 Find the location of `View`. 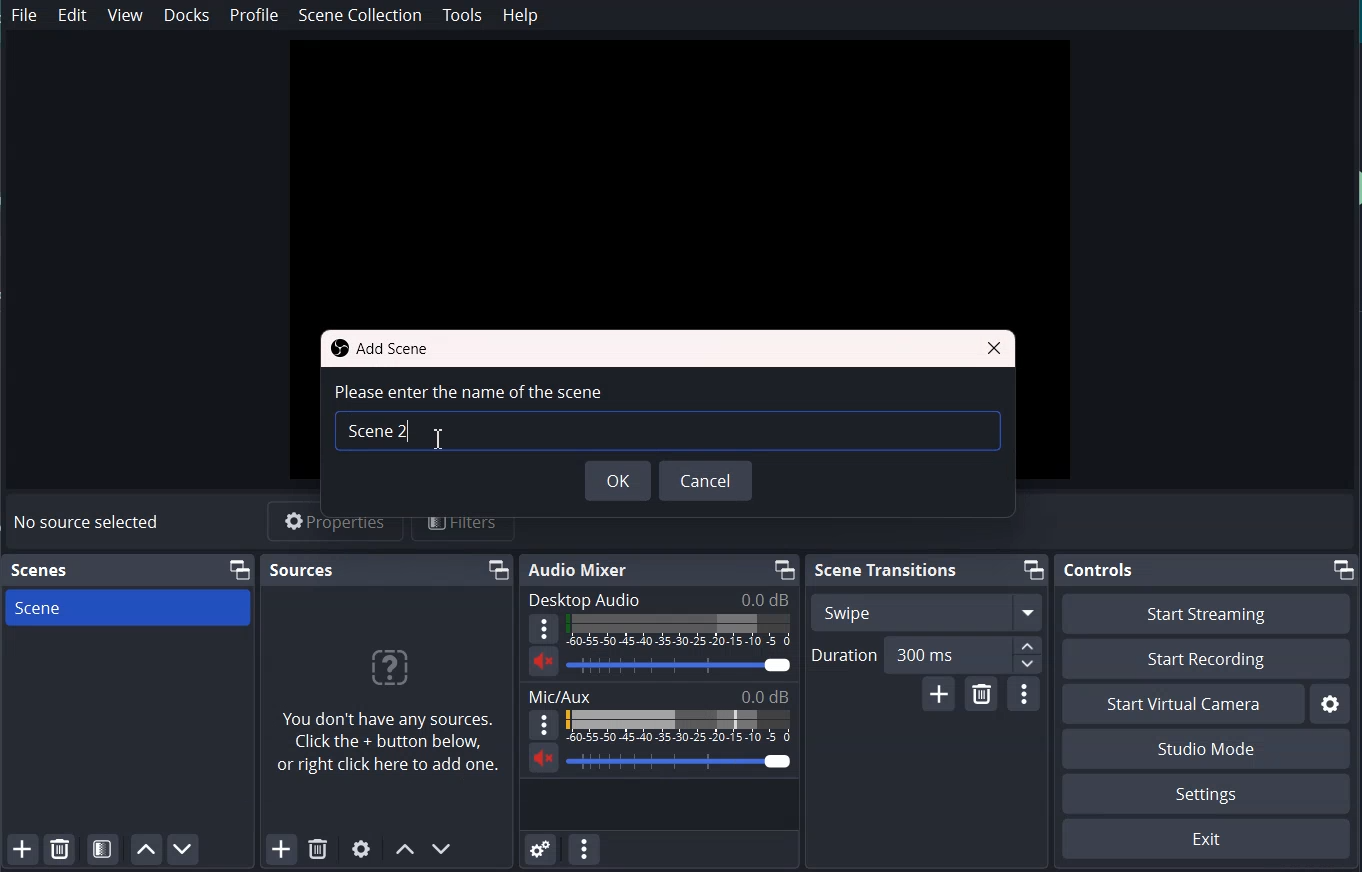

View is located at coordinates (127, 15).